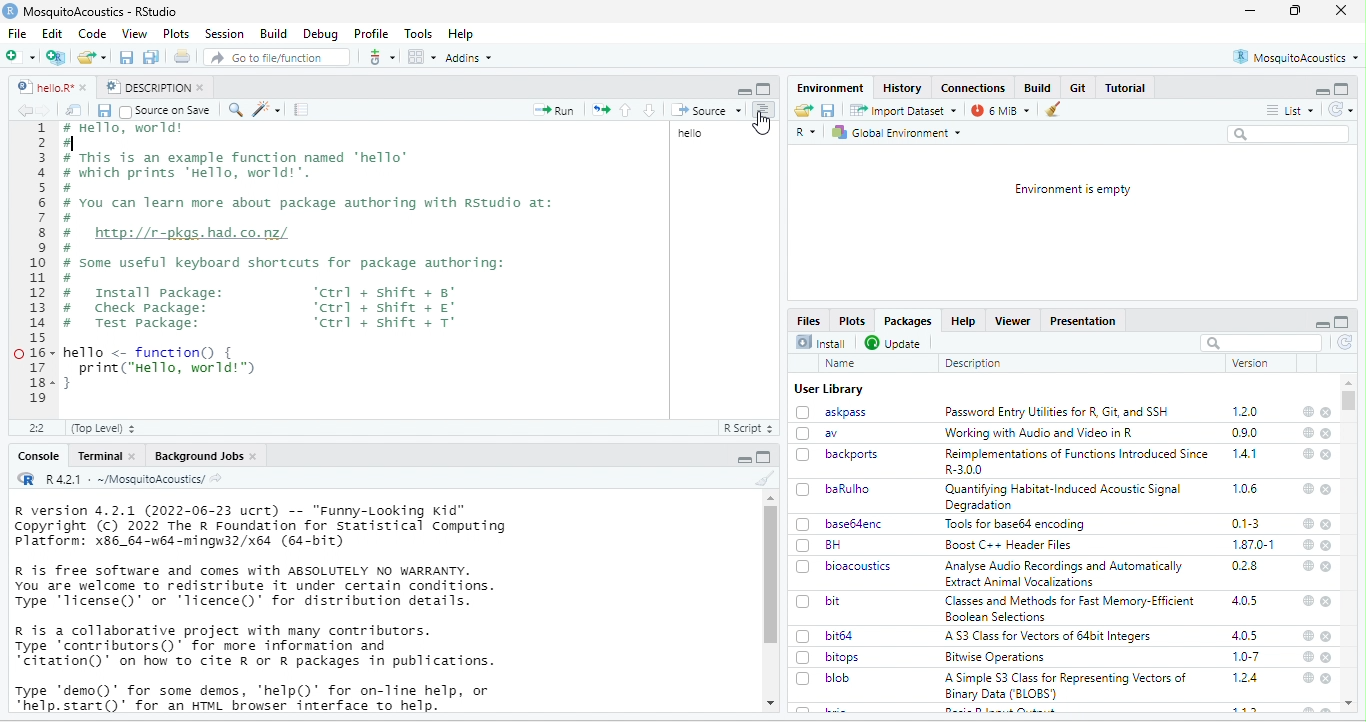  I want to click on close, so click(1326, 601).